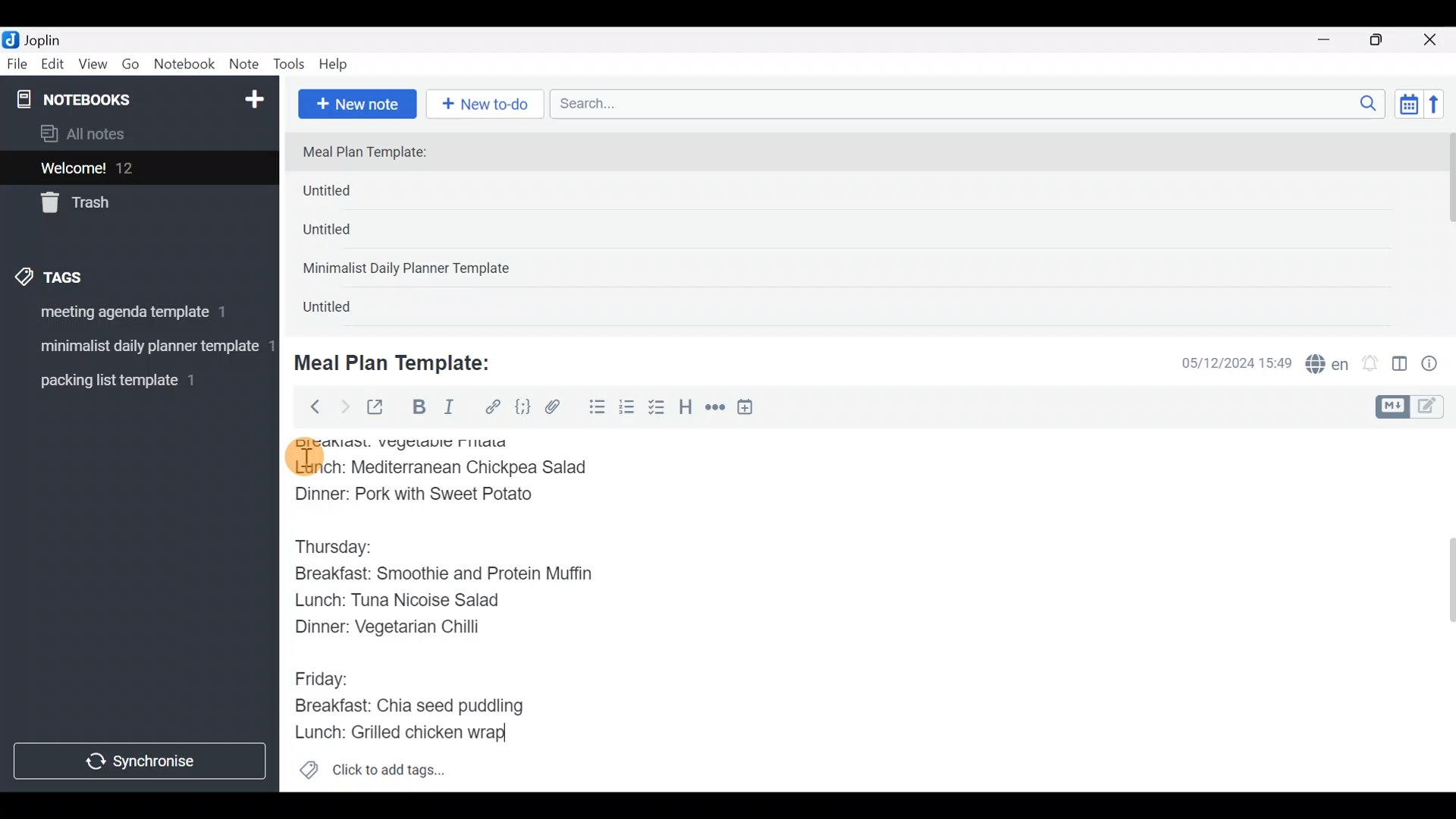  What do you see at coordinates (344, 548) in the screenshot?
I see `Thursday:` at bounding box center [344, 548].